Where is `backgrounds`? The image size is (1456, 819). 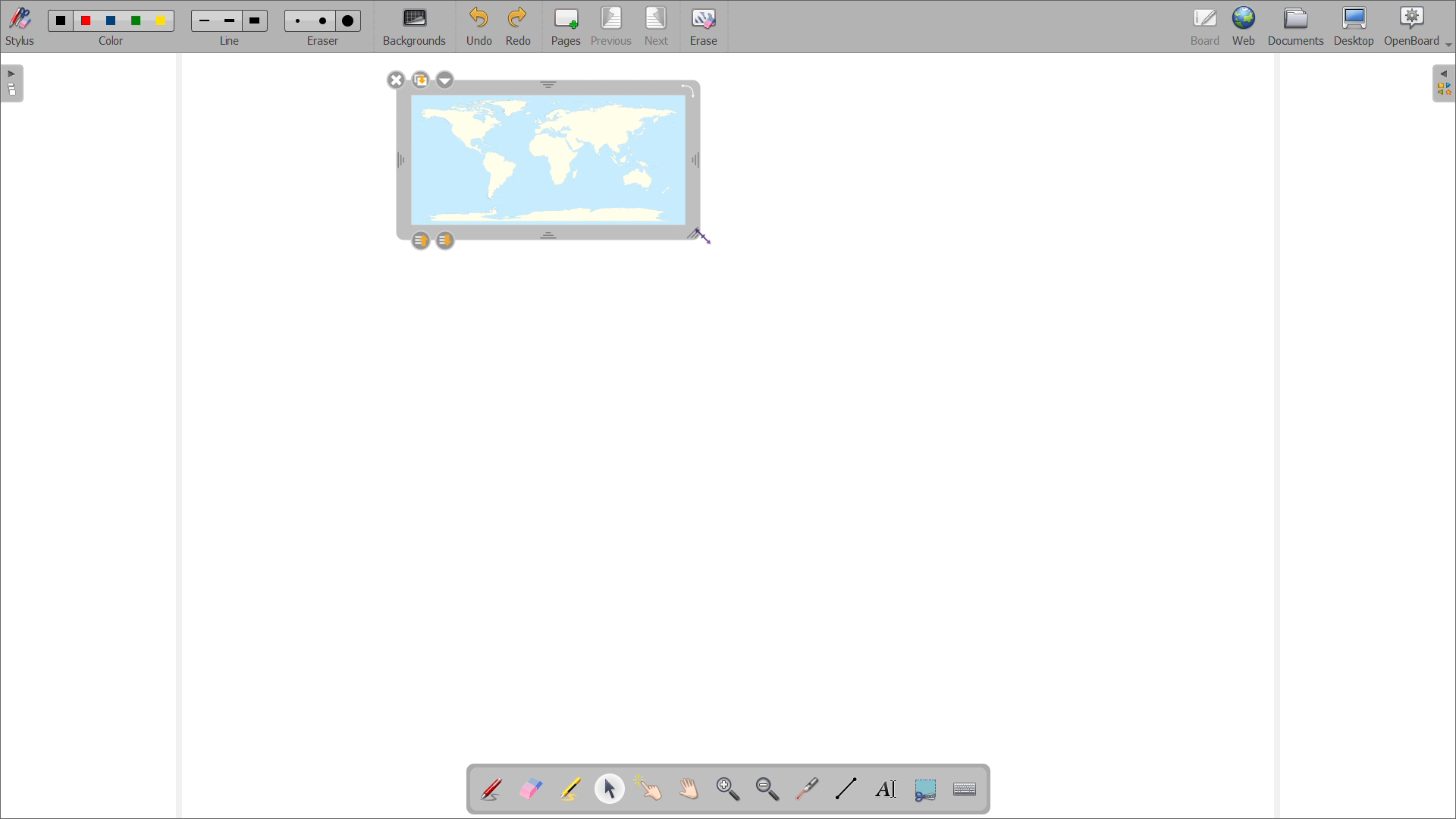
backgrounds is located at coordinates (415, 27).